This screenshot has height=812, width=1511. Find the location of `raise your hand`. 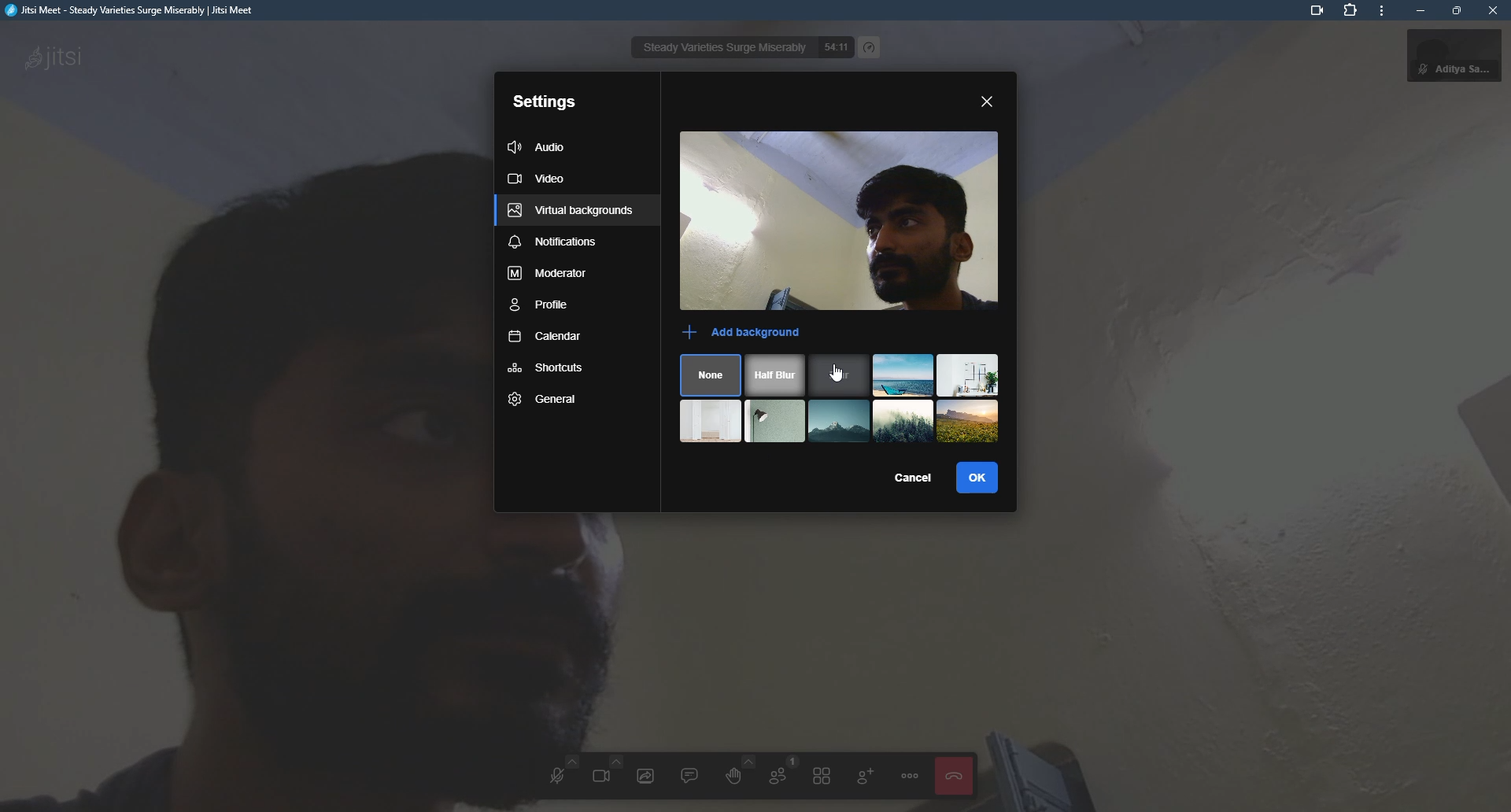

raise your hand is located at coordinates (732, 771).